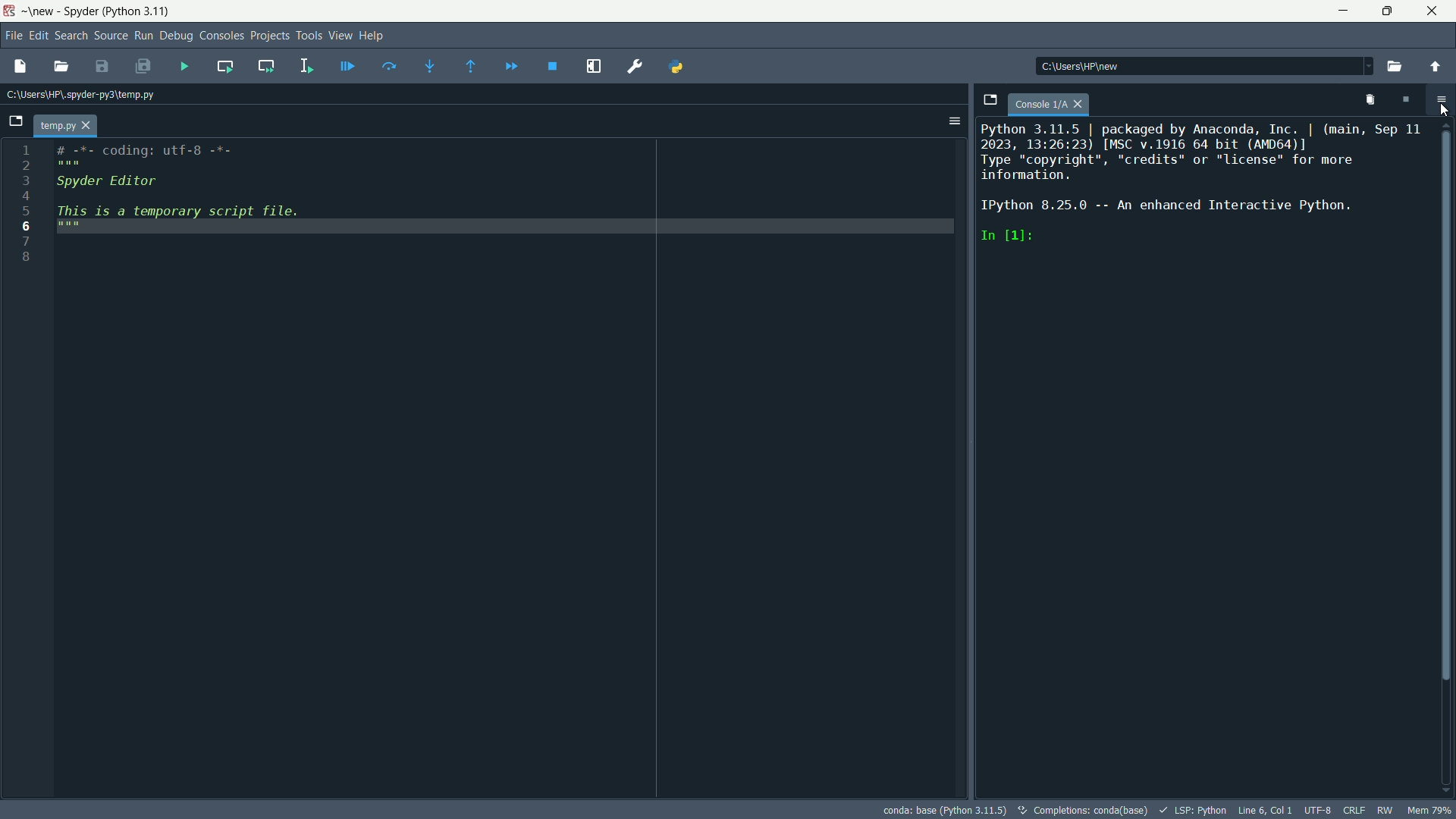 The image size is (1456, 819). Describe the element at coordinates (1191, 811) in the screenshot. I see `LSP: Python` at that location.